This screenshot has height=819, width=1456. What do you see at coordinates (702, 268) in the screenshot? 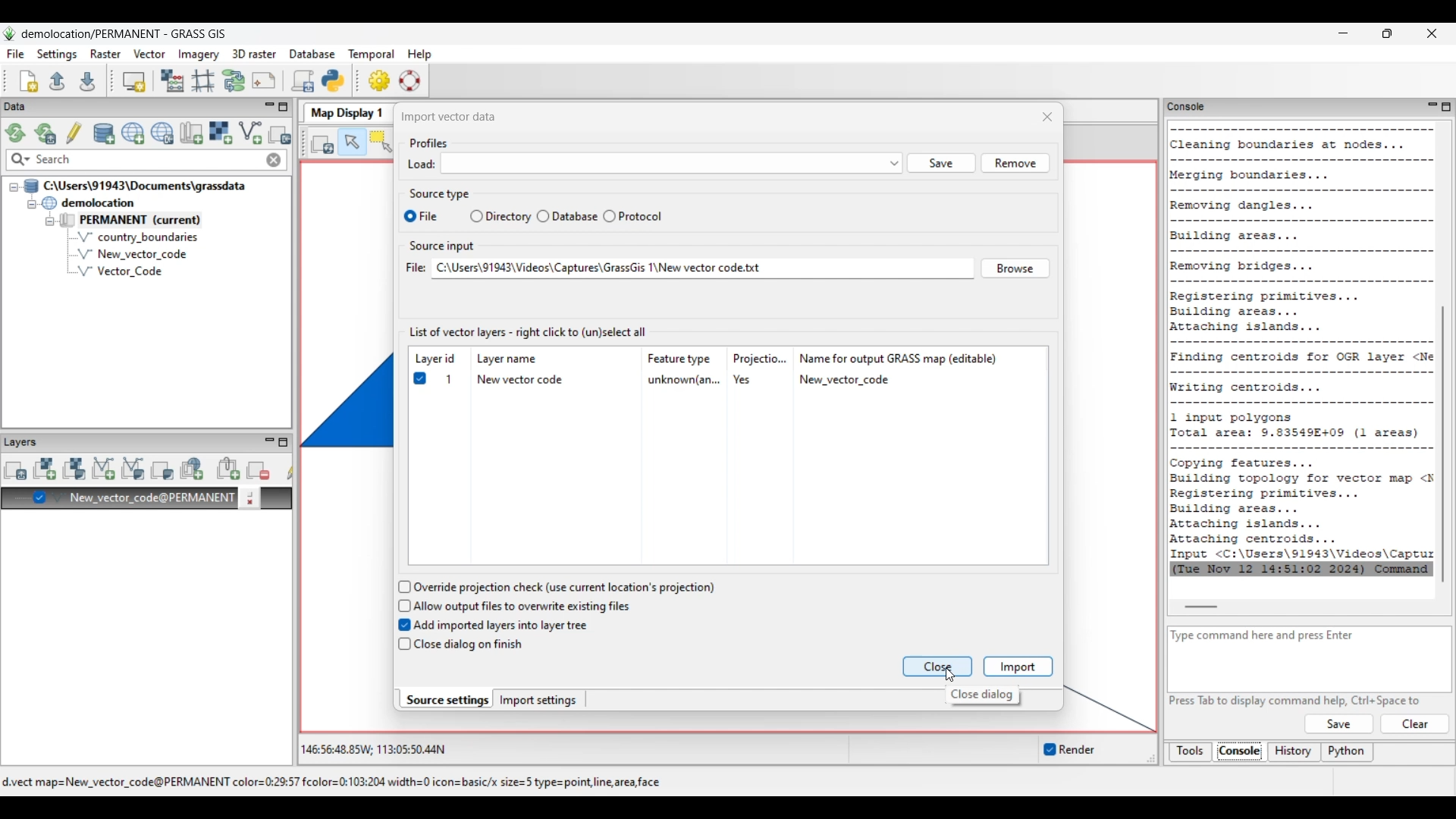
I see `File pathway of selected file` at bounding box center [702, 268].